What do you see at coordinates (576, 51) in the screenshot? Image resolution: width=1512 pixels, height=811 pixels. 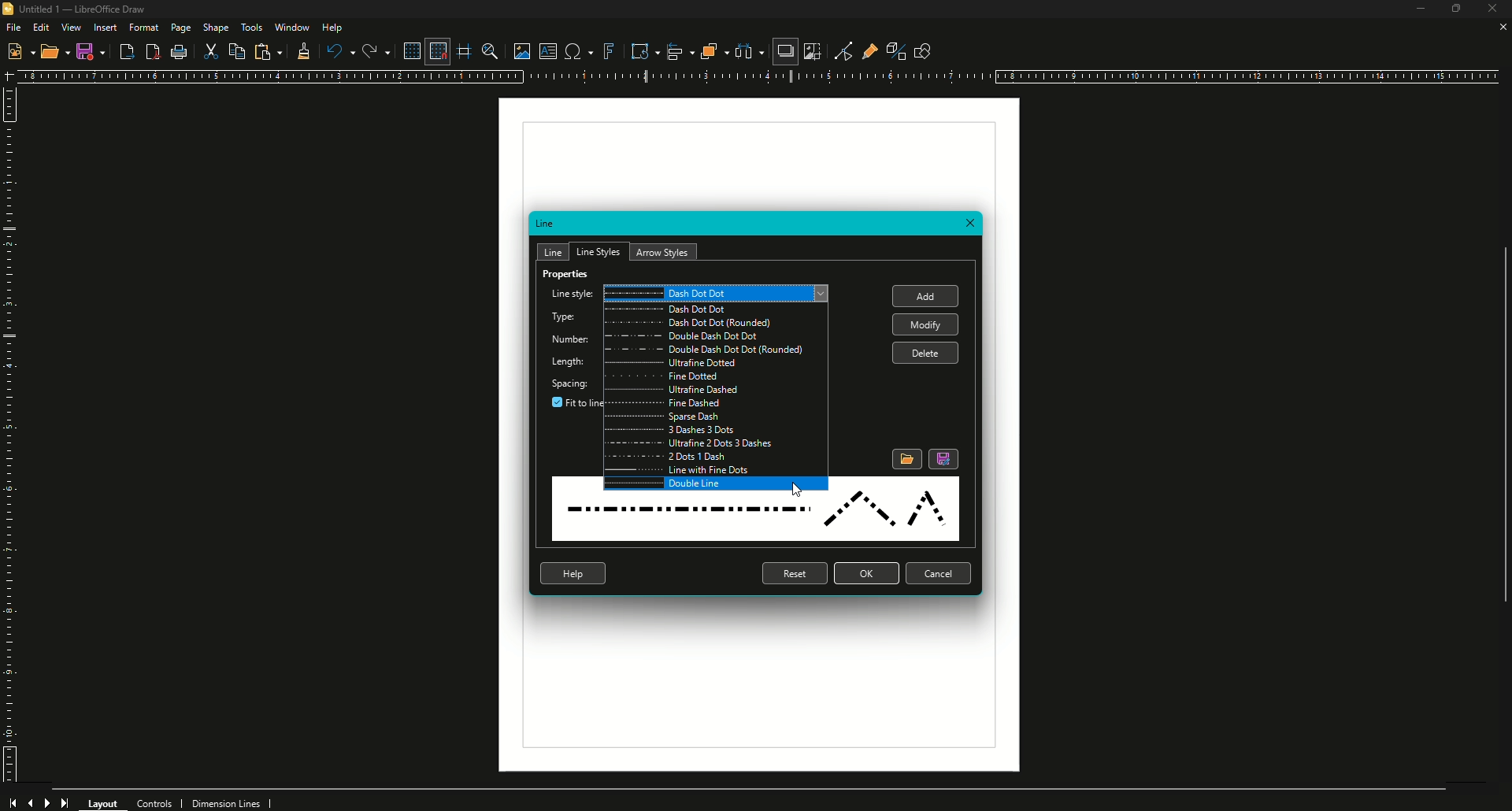 I see `Insert Special Characters` at bounding box center [576, 51].